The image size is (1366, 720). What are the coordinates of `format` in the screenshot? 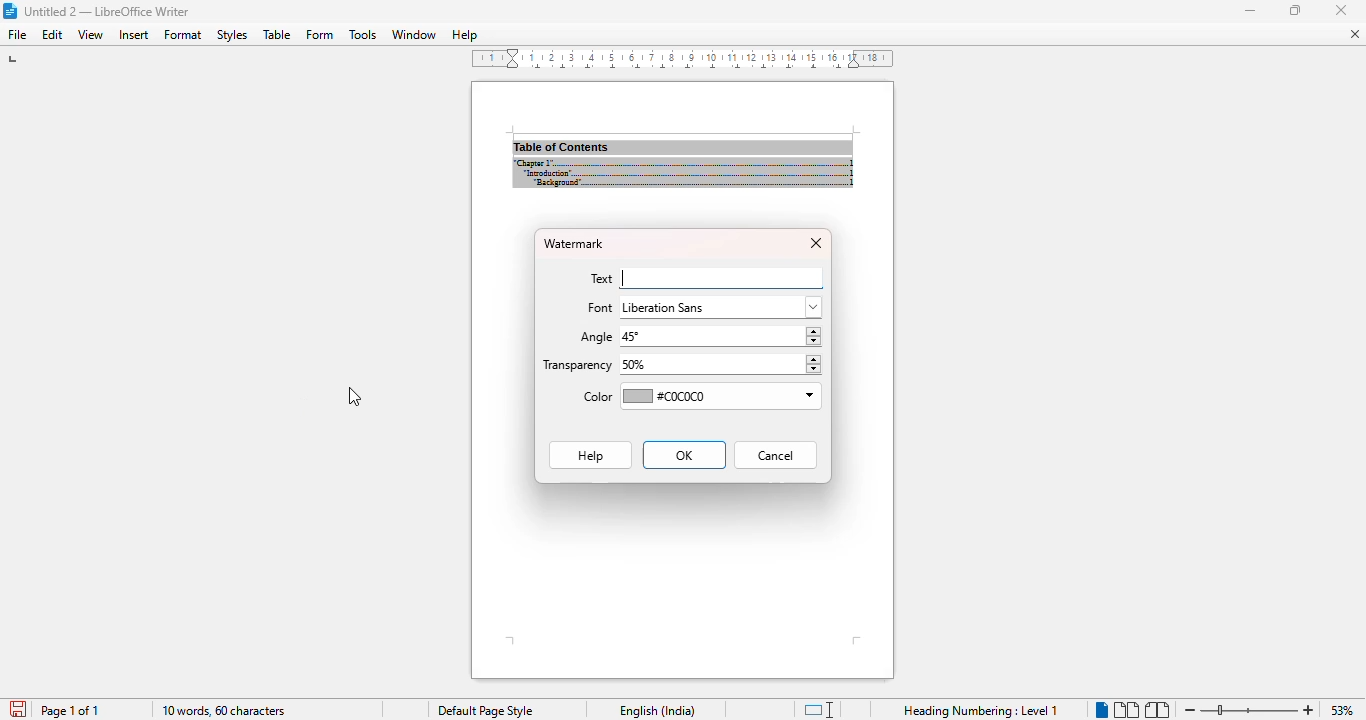 It's located at (184, 35).